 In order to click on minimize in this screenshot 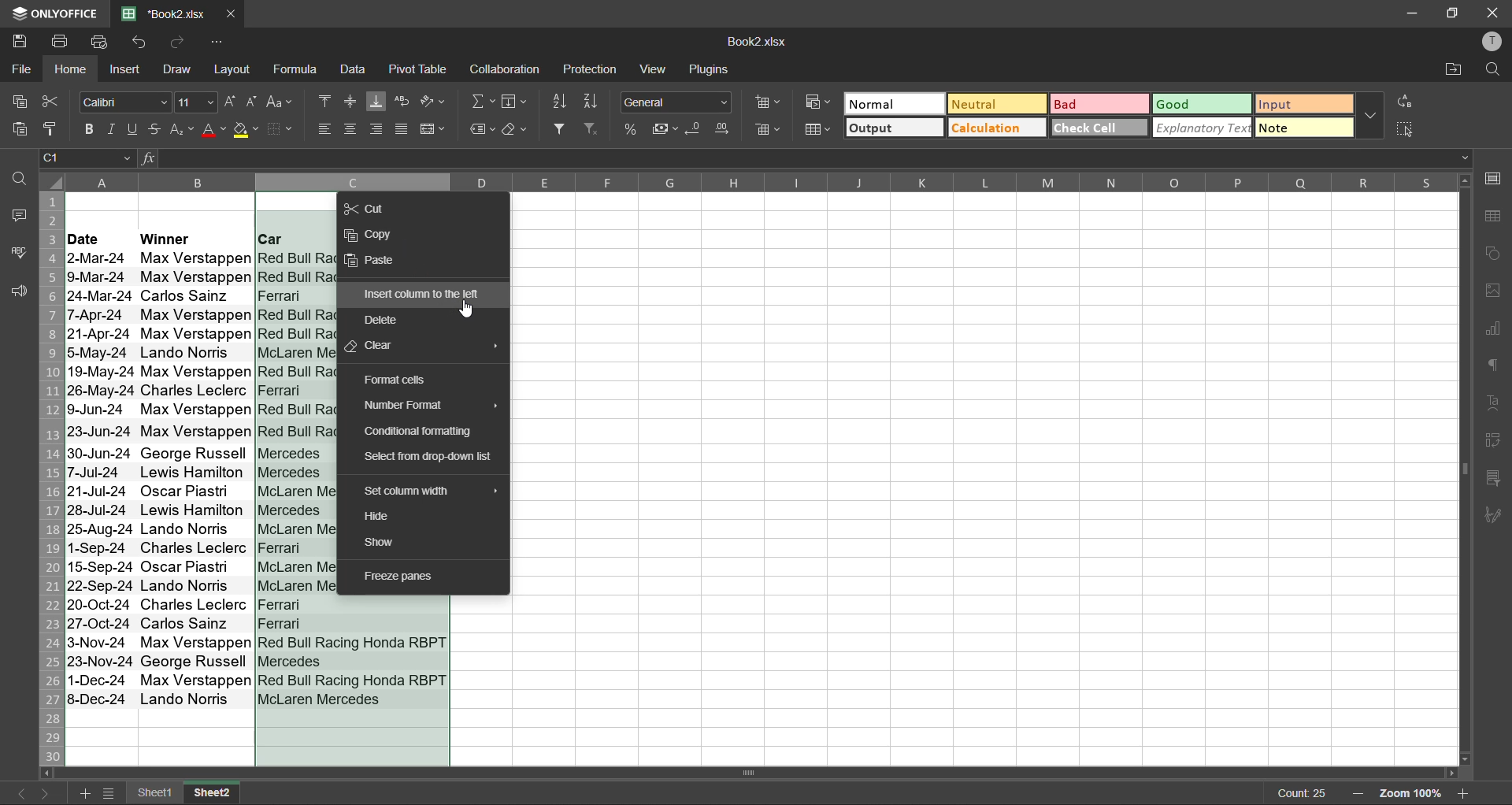, I will do `click(1407, 13)`.